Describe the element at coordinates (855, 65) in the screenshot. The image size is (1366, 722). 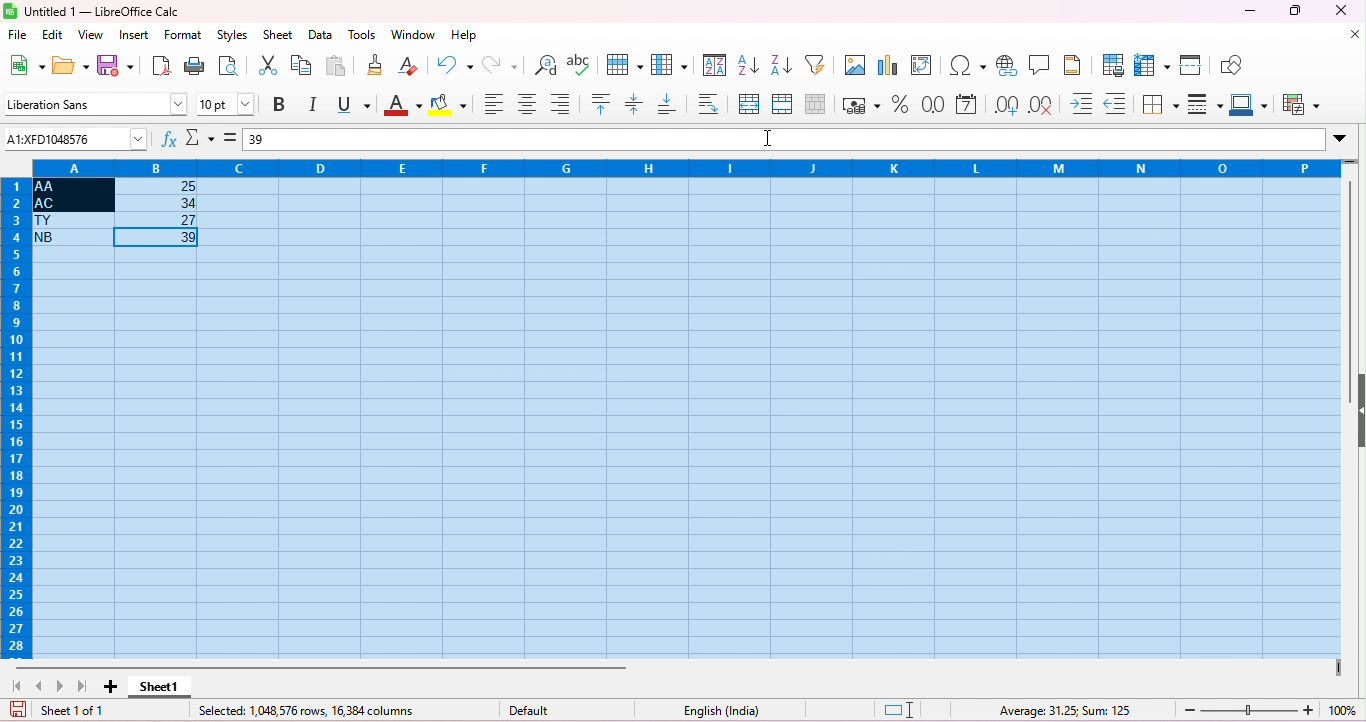
I see `insert image` at that location.